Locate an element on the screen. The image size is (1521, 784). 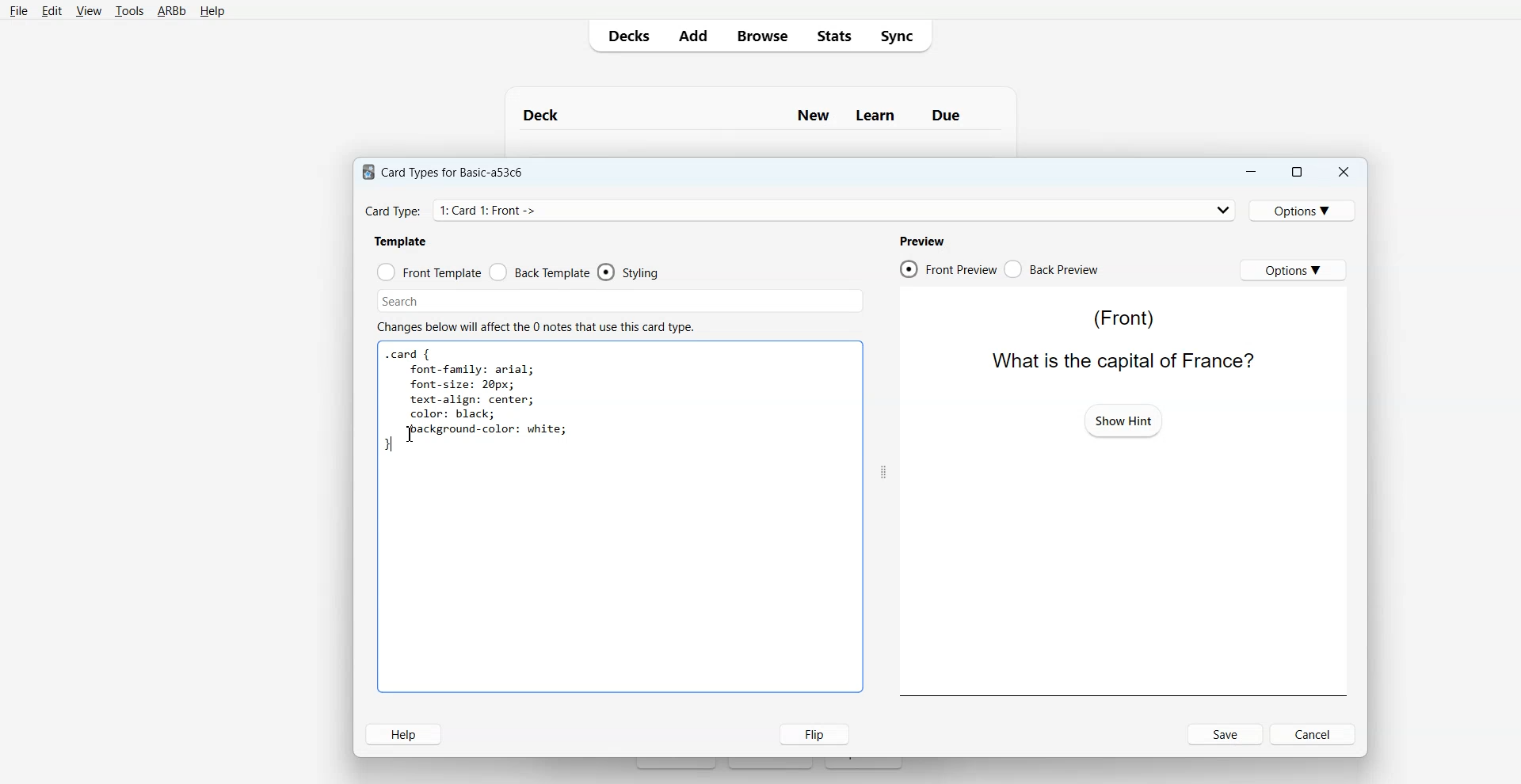
Close is located at coordinates (1343, 173).